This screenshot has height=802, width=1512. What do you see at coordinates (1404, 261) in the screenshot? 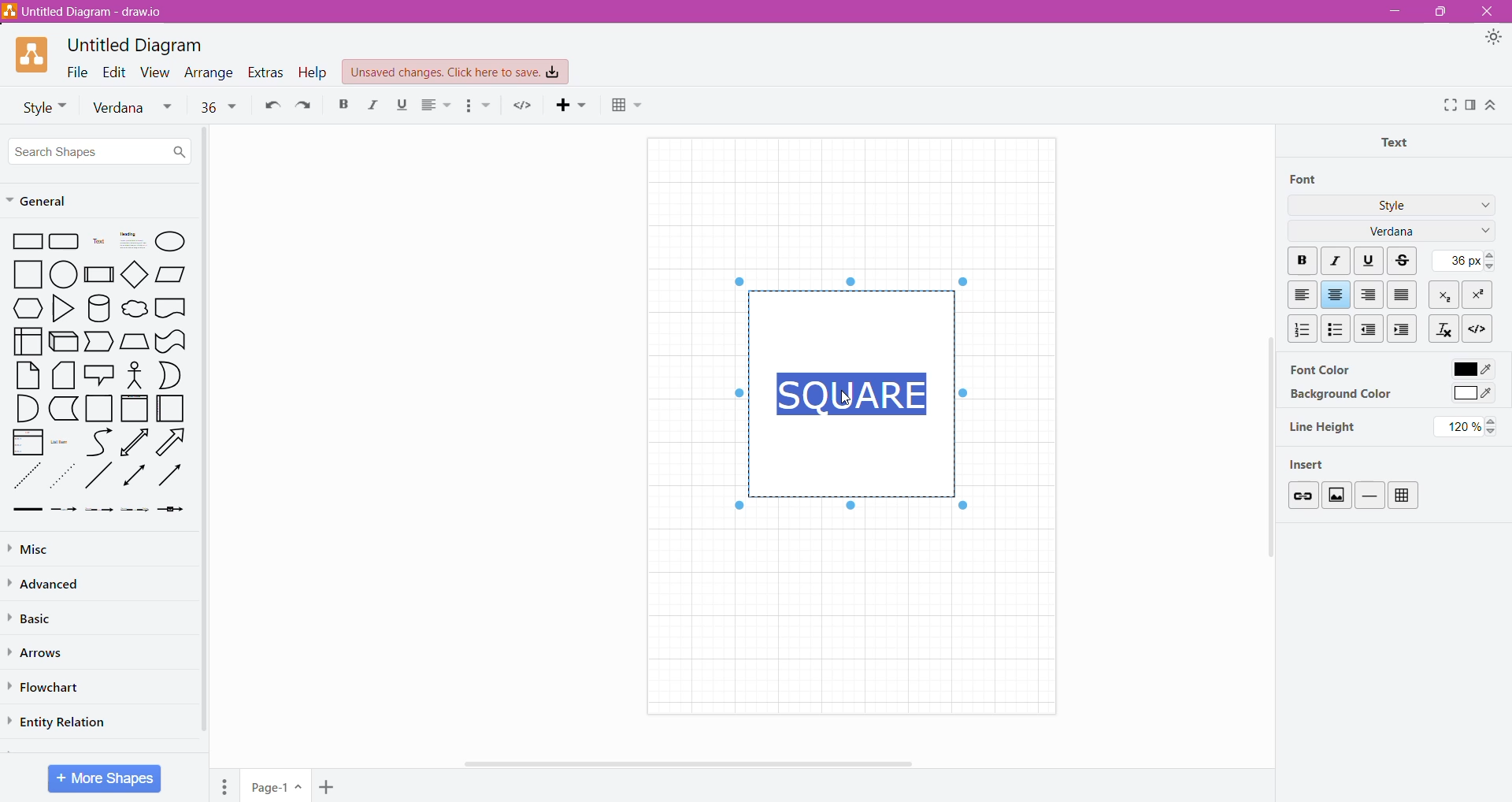
I see `Strikethrough` at bounding box center [1404, 261].